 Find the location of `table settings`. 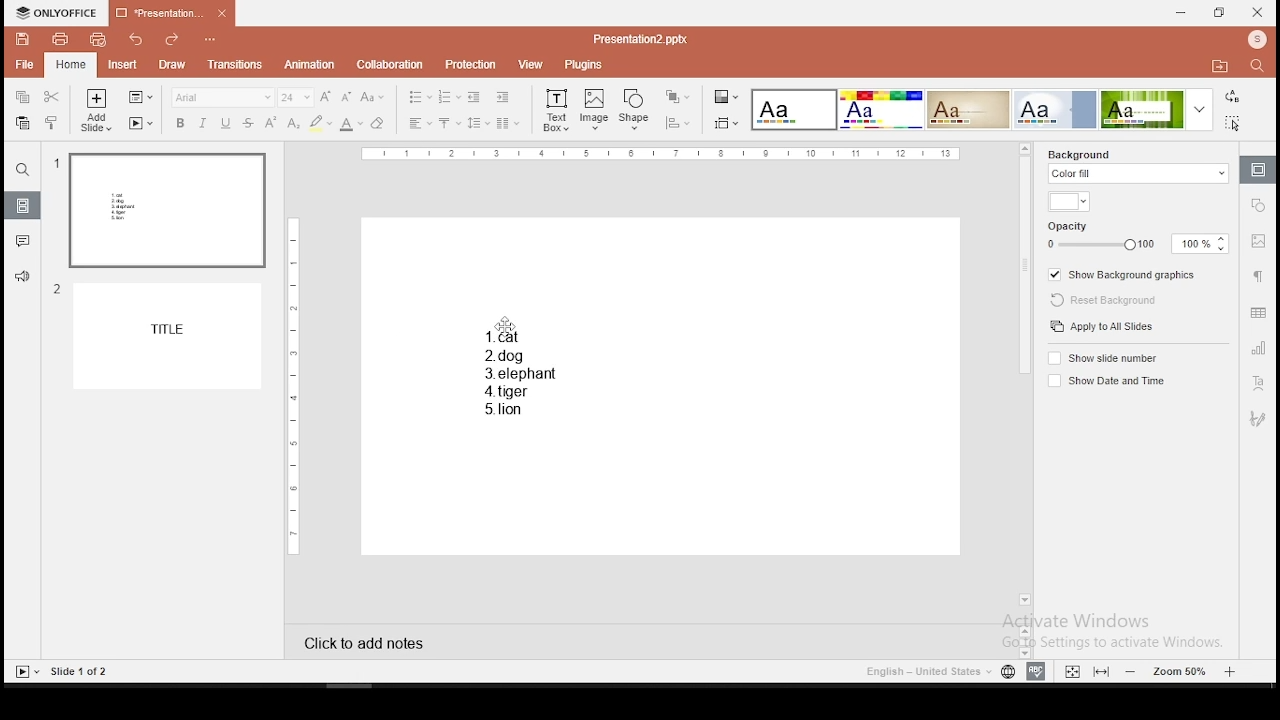

table settings is located at coordinates (1256, 313).